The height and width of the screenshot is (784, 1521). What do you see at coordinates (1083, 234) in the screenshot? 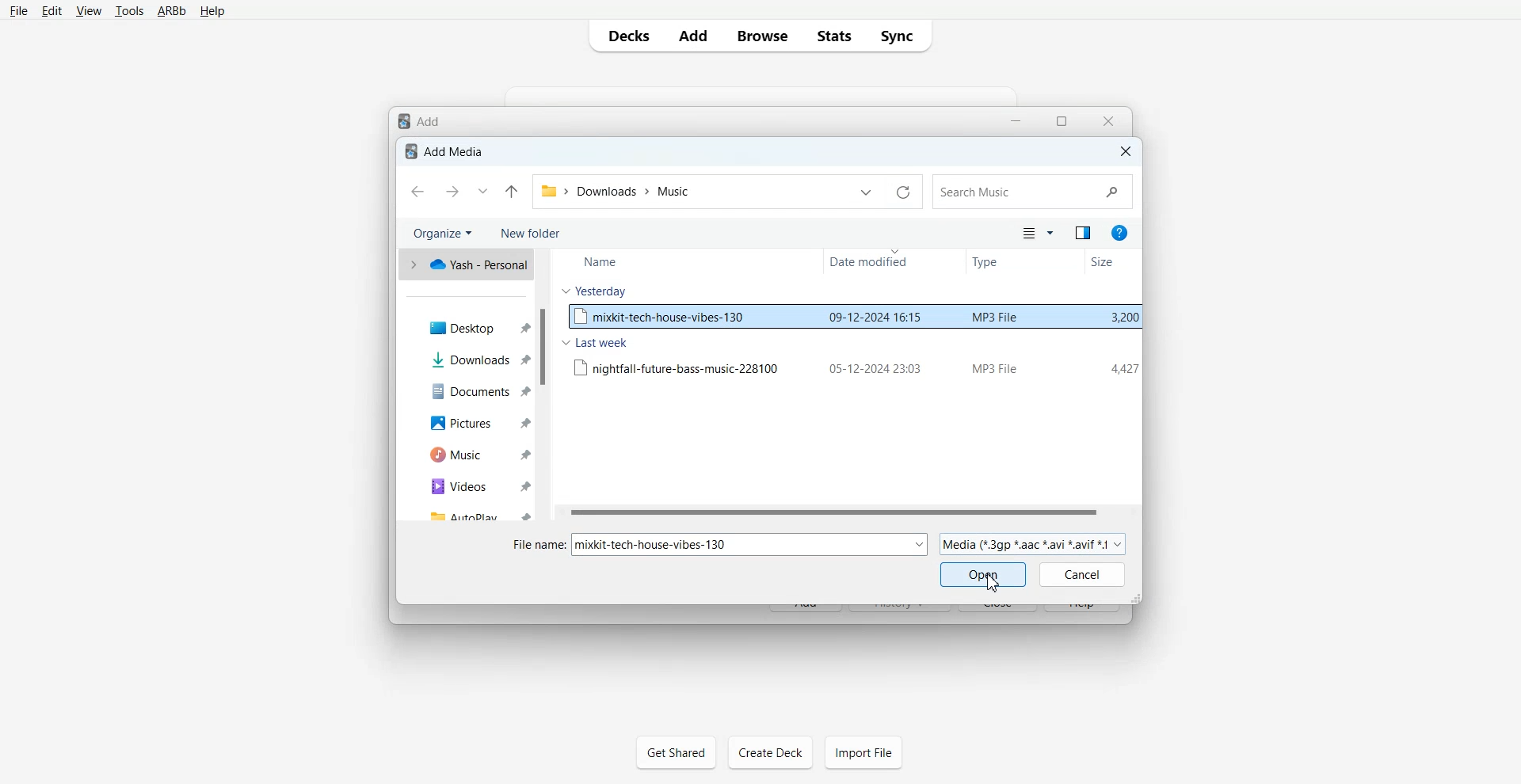
I see `Show the preview pane` at bounding box center [1083, 234].